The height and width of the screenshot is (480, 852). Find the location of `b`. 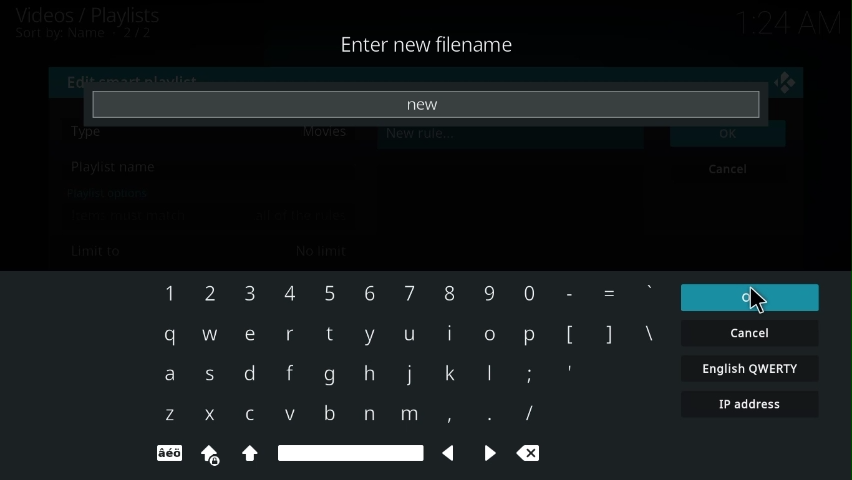

b is located at coordinates (327, 414).